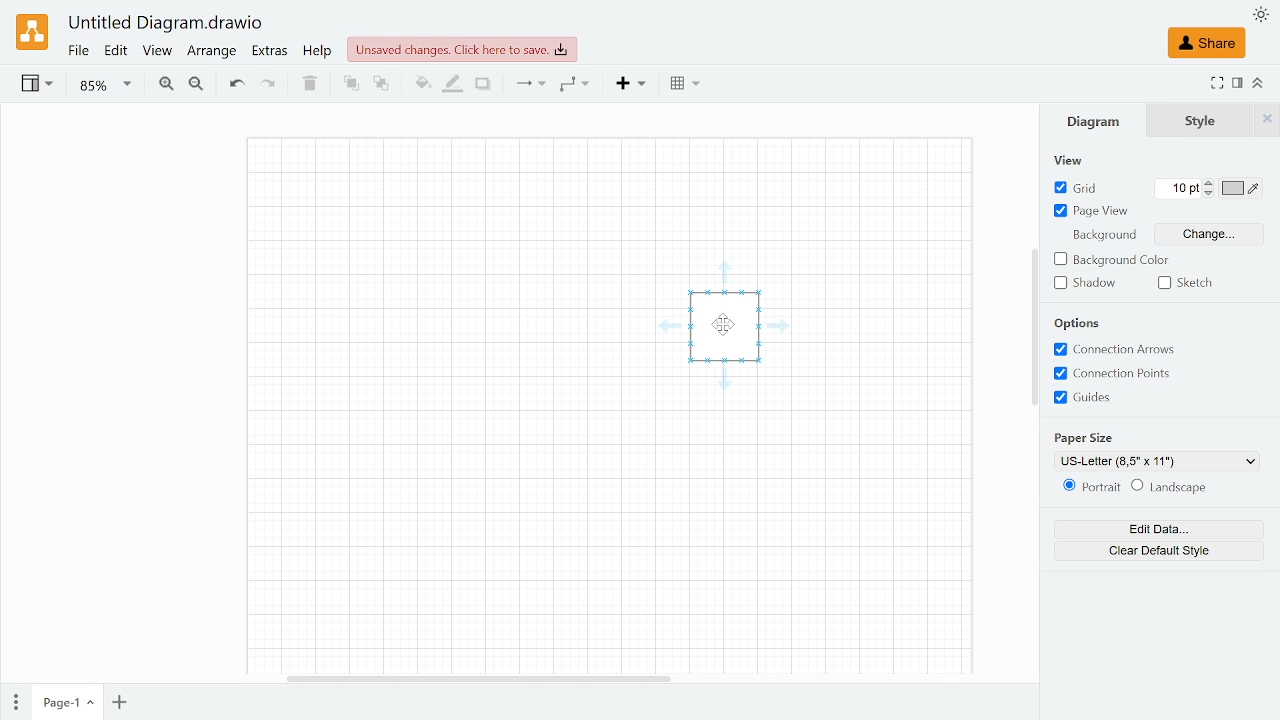  Describe the element at coordinates (1205, 234) in the screenshot. I see `Change` at that location.